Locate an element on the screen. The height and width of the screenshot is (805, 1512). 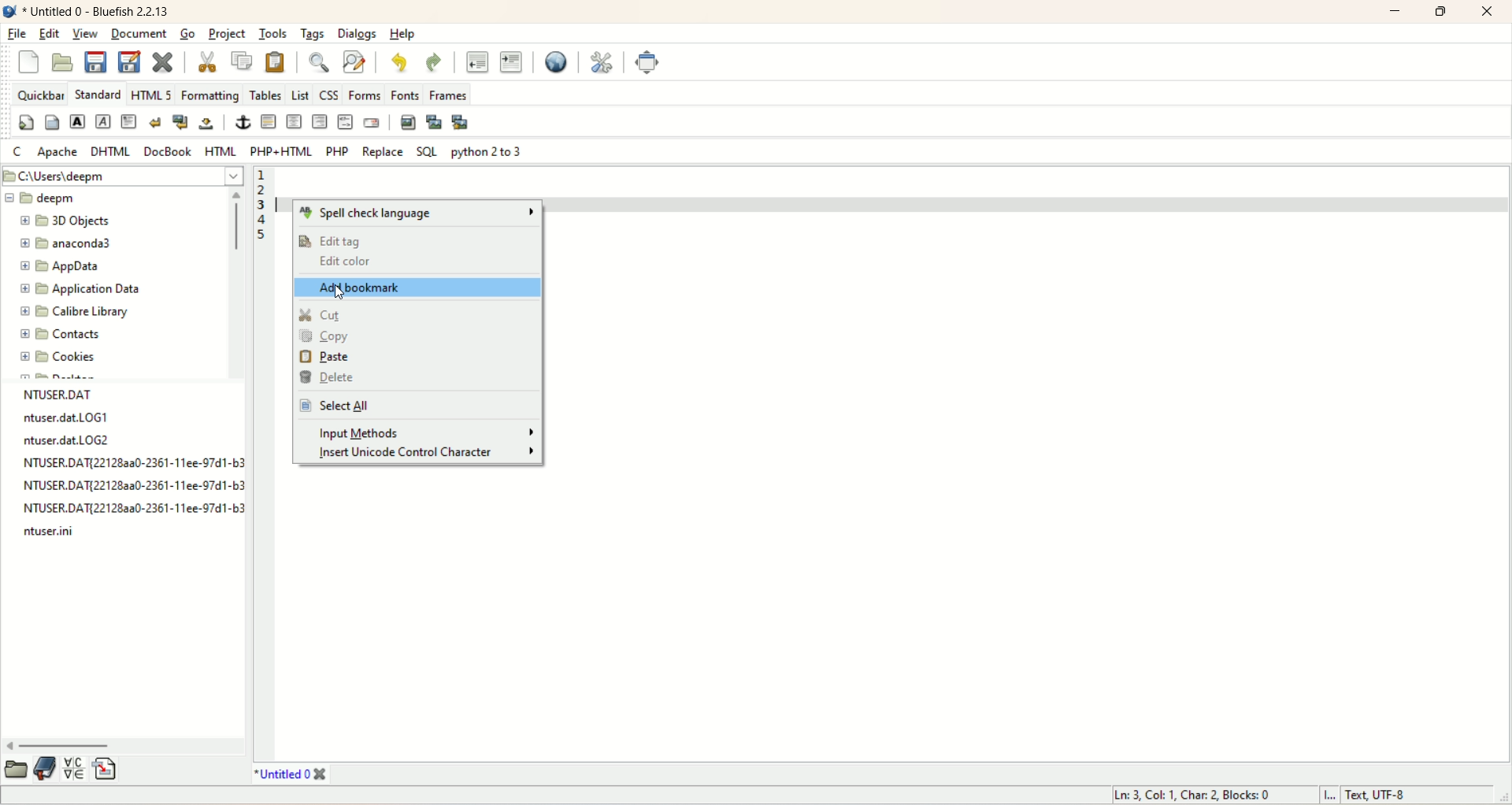
python 2 to 3 is located at coordinates (485, 152).